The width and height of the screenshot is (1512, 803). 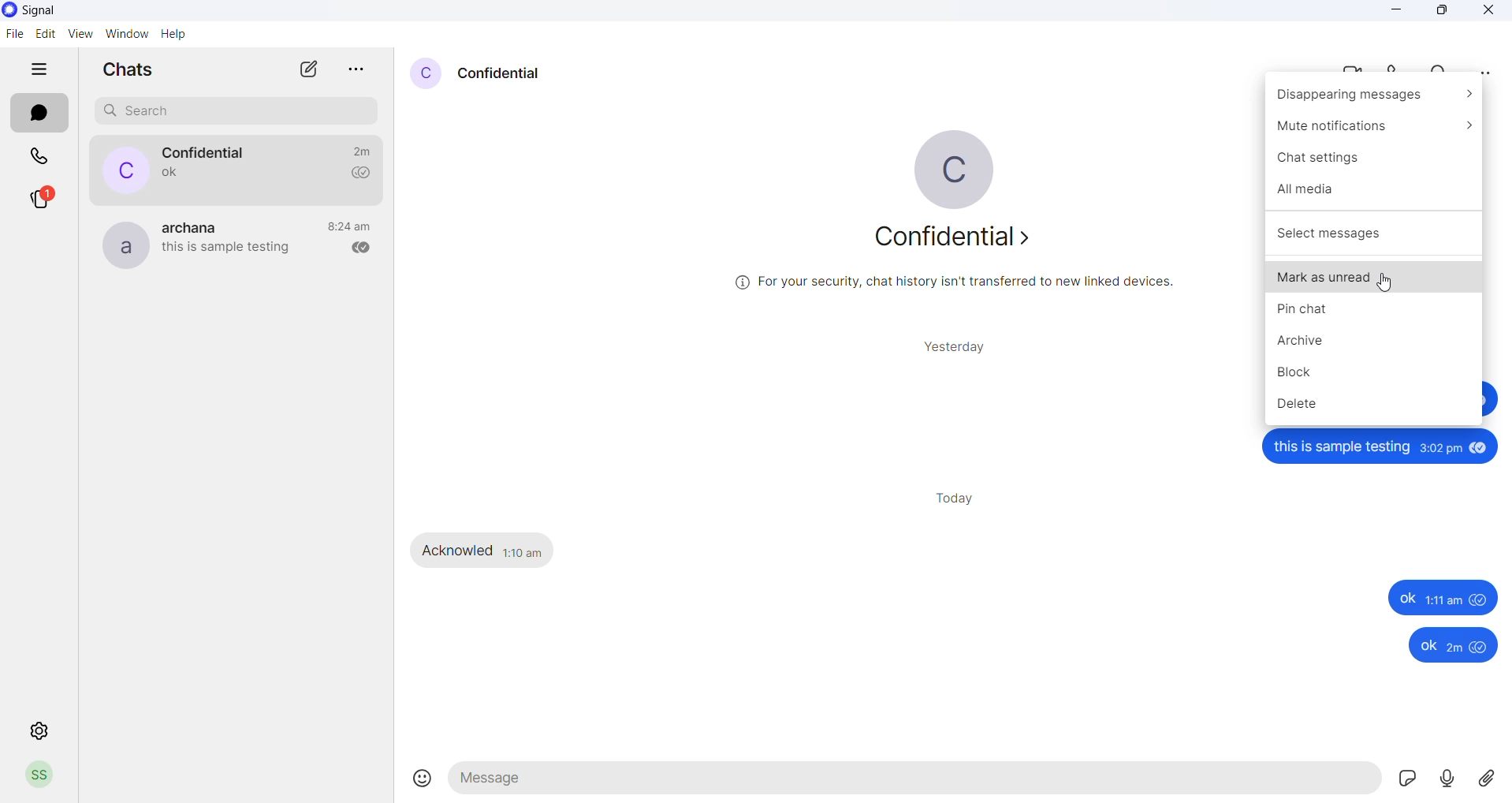 I want to click on profile picture, so click(x=116, y=170).